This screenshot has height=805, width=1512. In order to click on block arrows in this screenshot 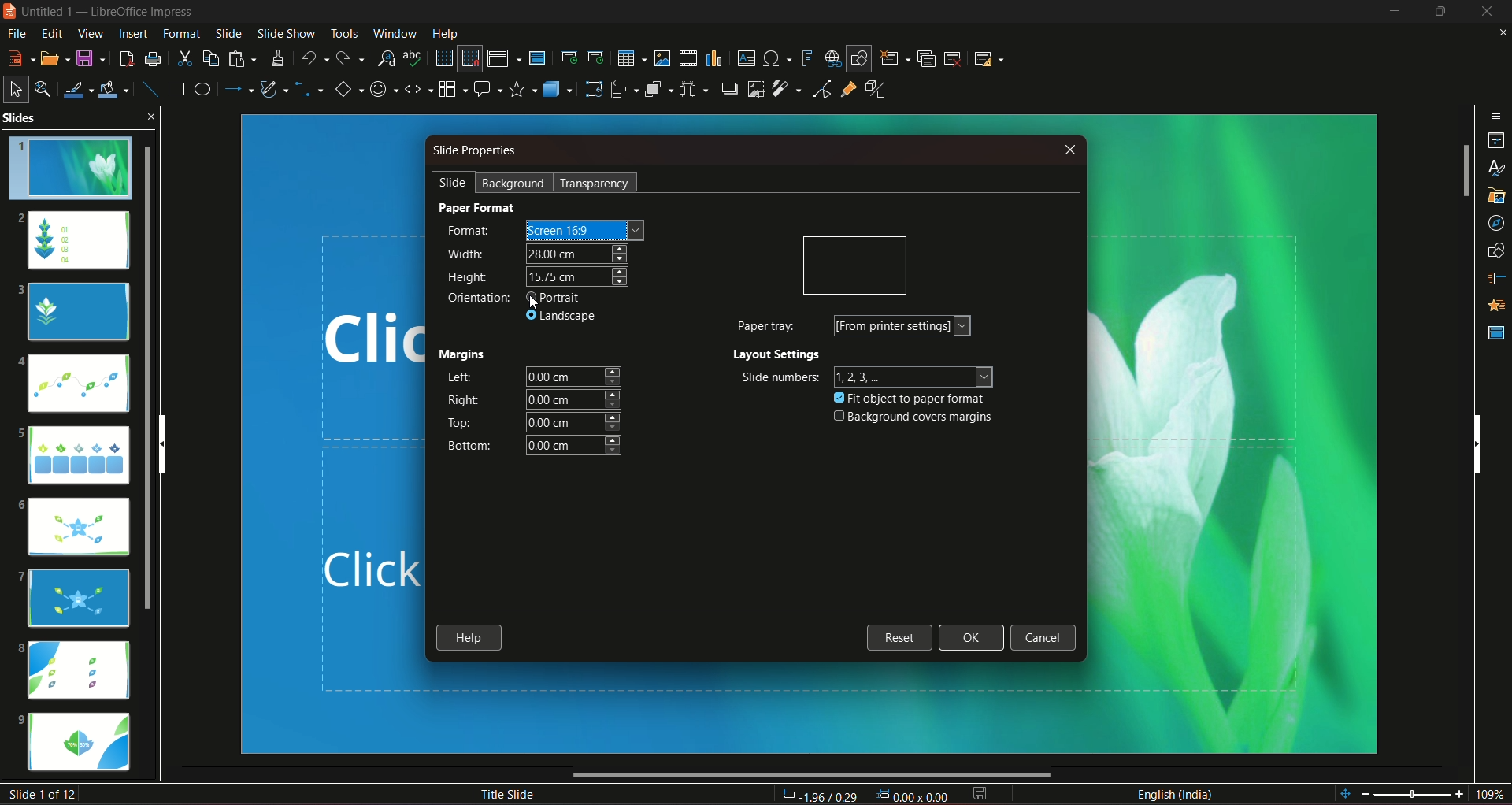, I will do `click(419, 90)`.